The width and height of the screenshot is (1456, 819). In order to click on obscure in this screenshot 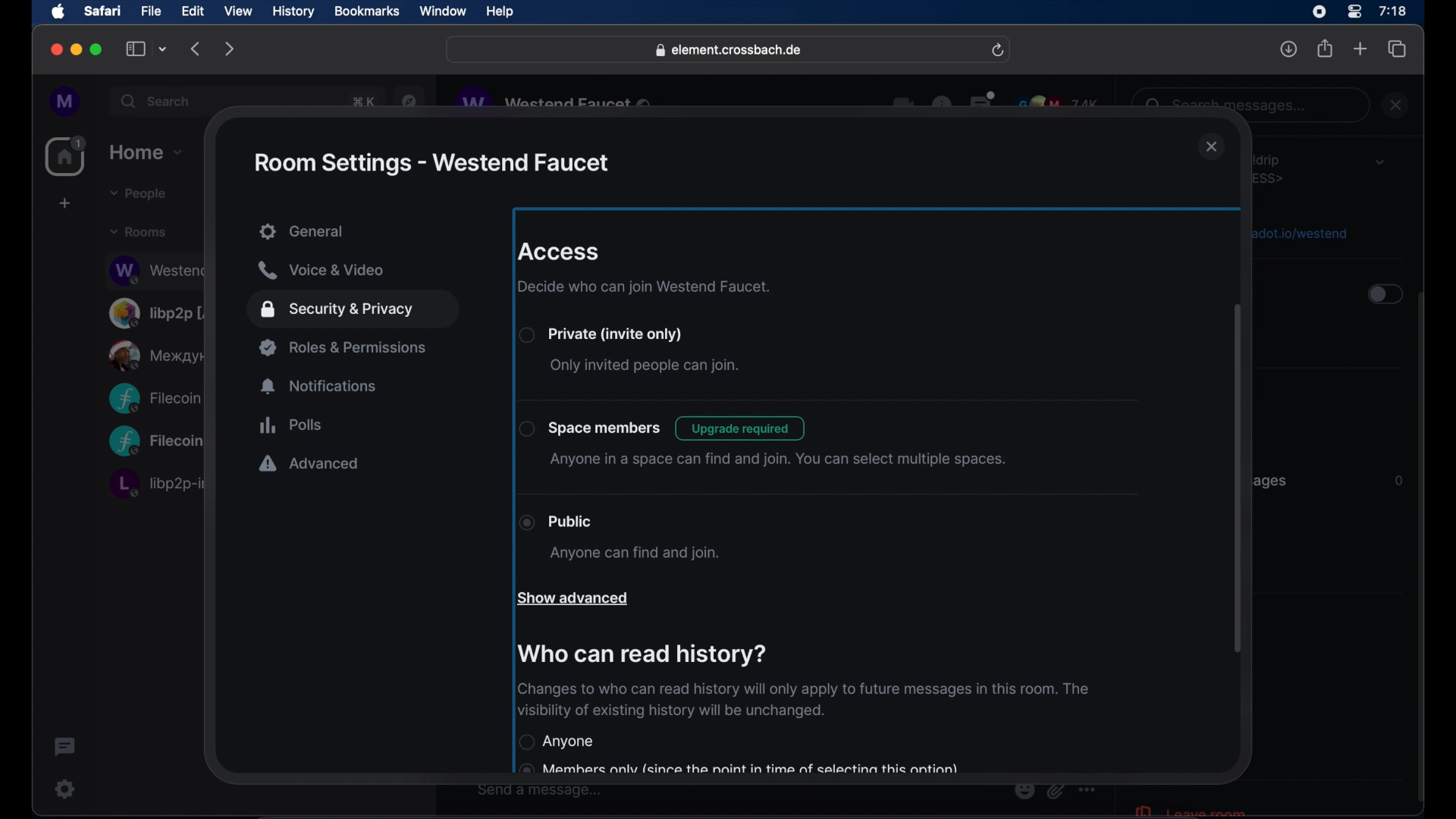, I will do `click(1272, 168)`.